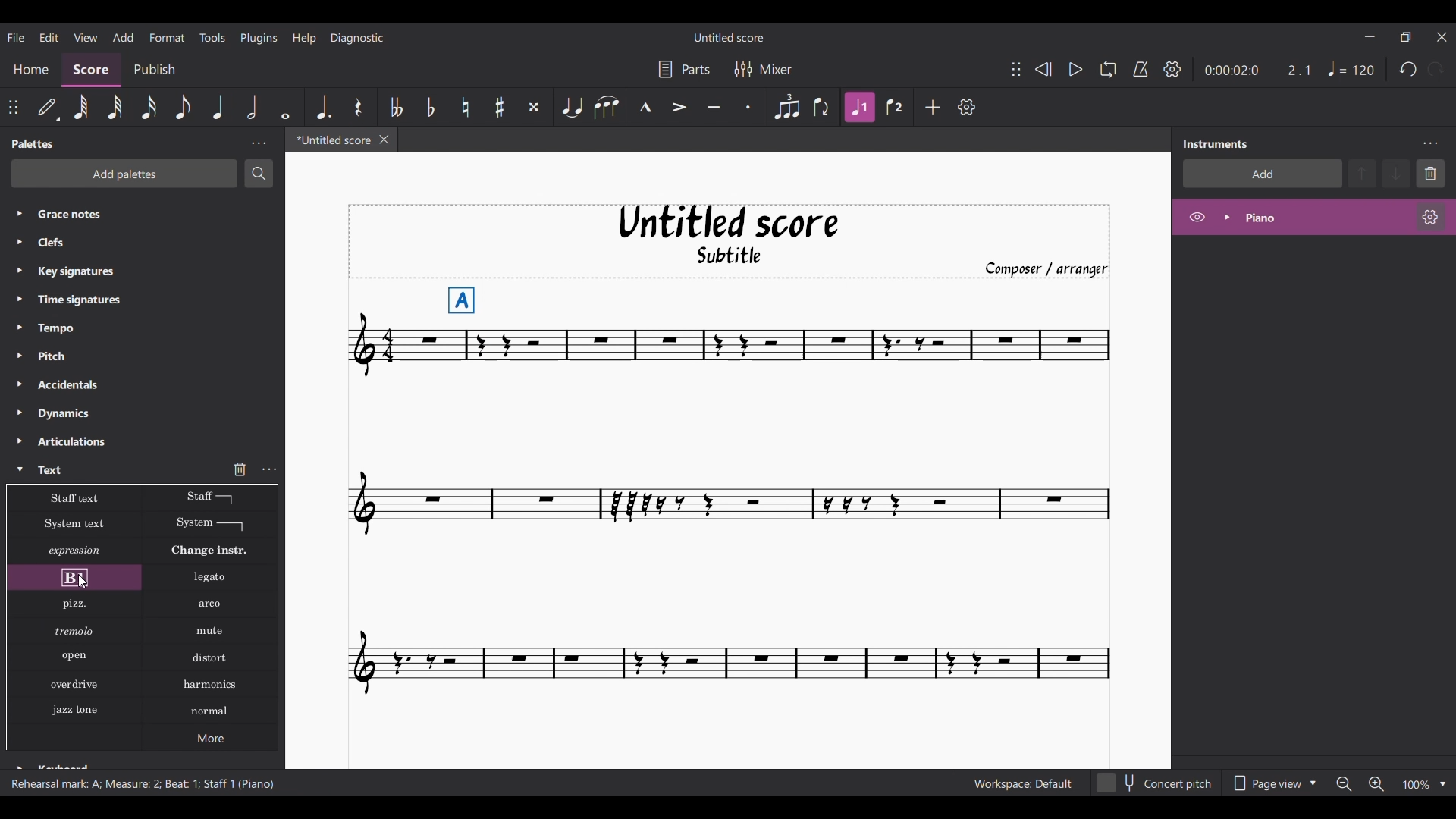  What do you see at coordinates (1442, 37) in the screenshot?
I see `Close interface` at bounding box center [1442, 37].